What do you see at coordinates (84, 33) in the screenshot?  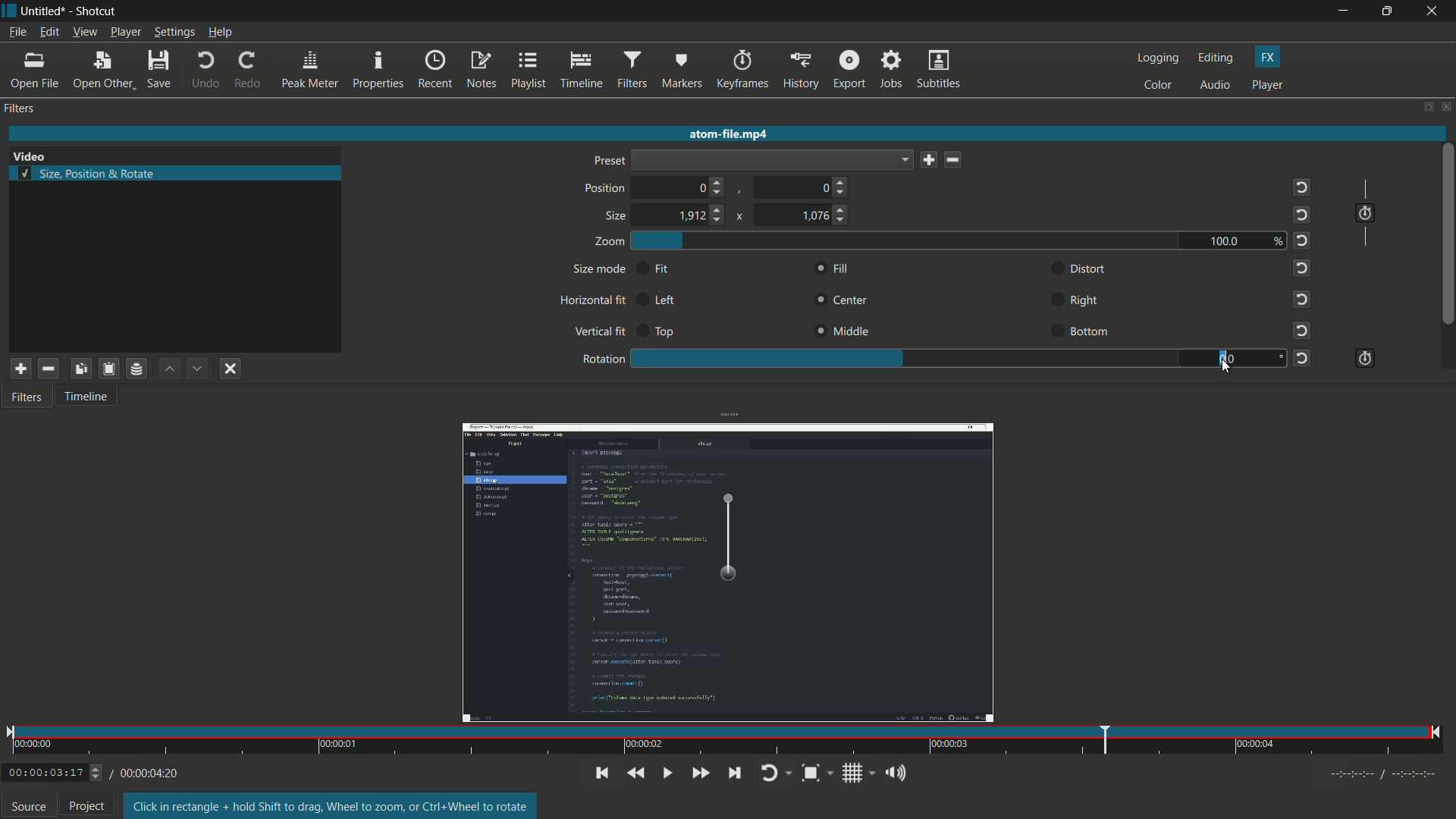 I see `view menu` at bounding box center [84, 33].